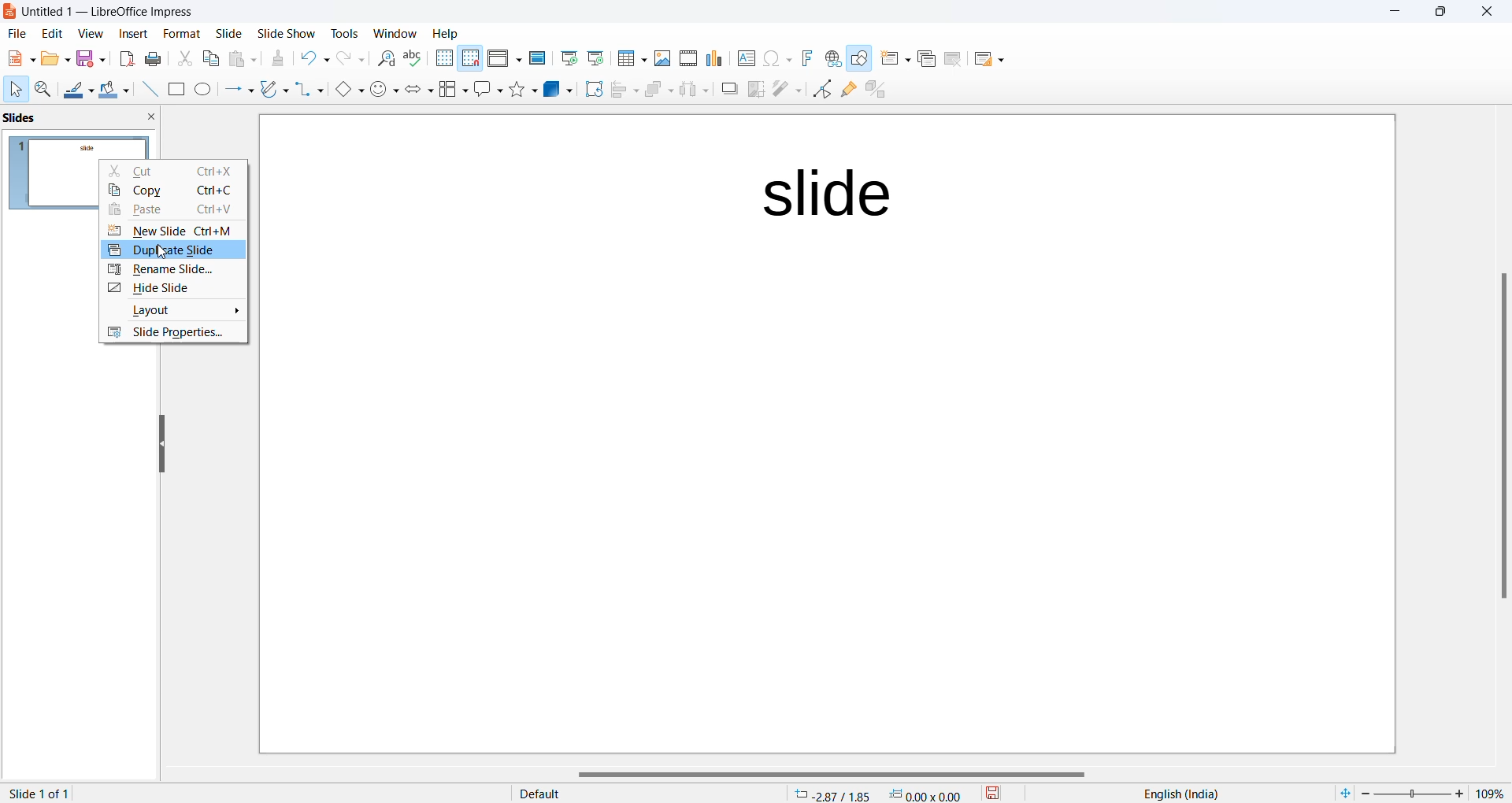 This screenshot has width=1512, height=803. Describe the element at coordinates (691, 90) in the screenshot. I see `Object distribution` at that location.